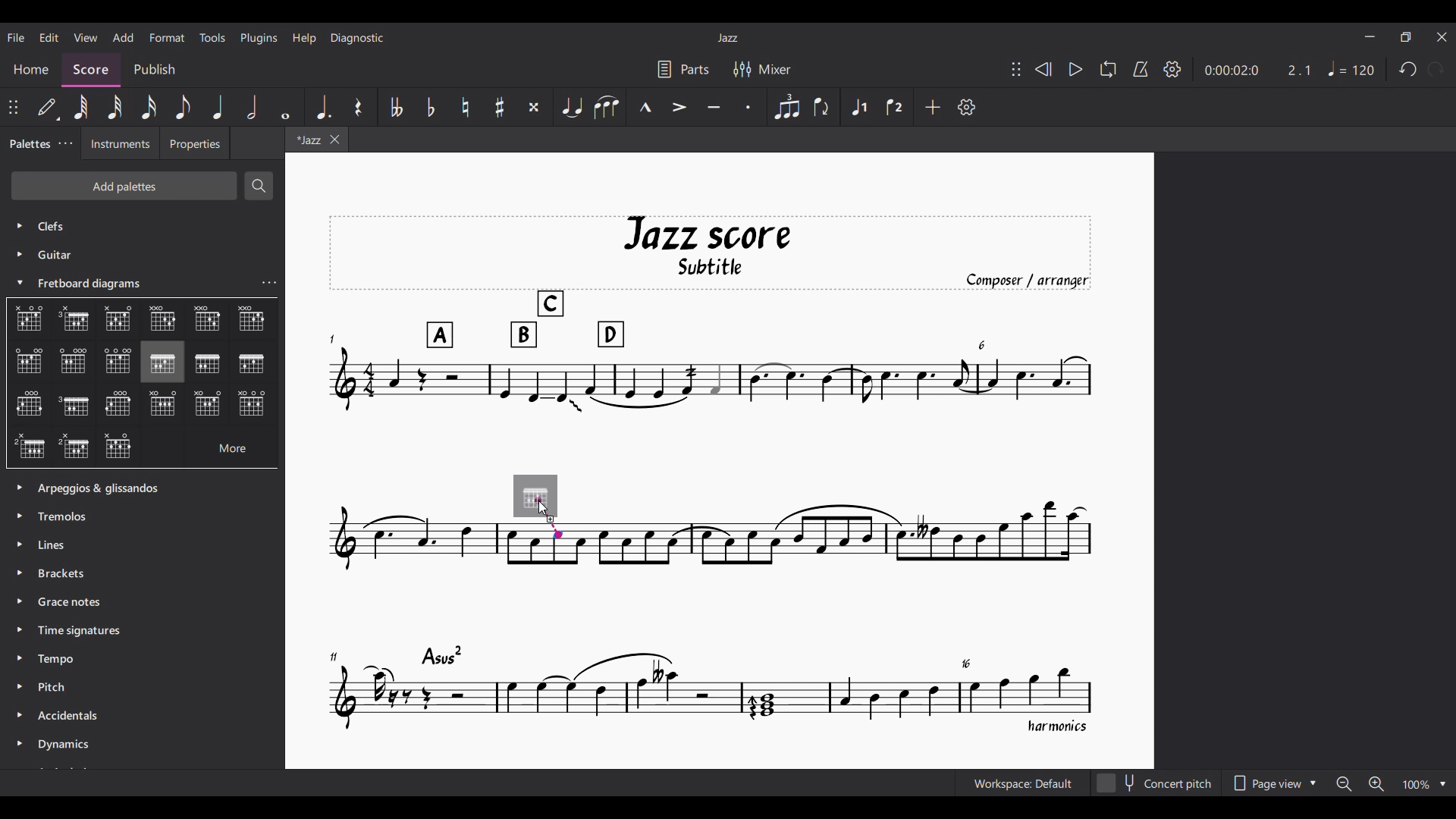  I want to click on Tempo, so click(1351, 68).